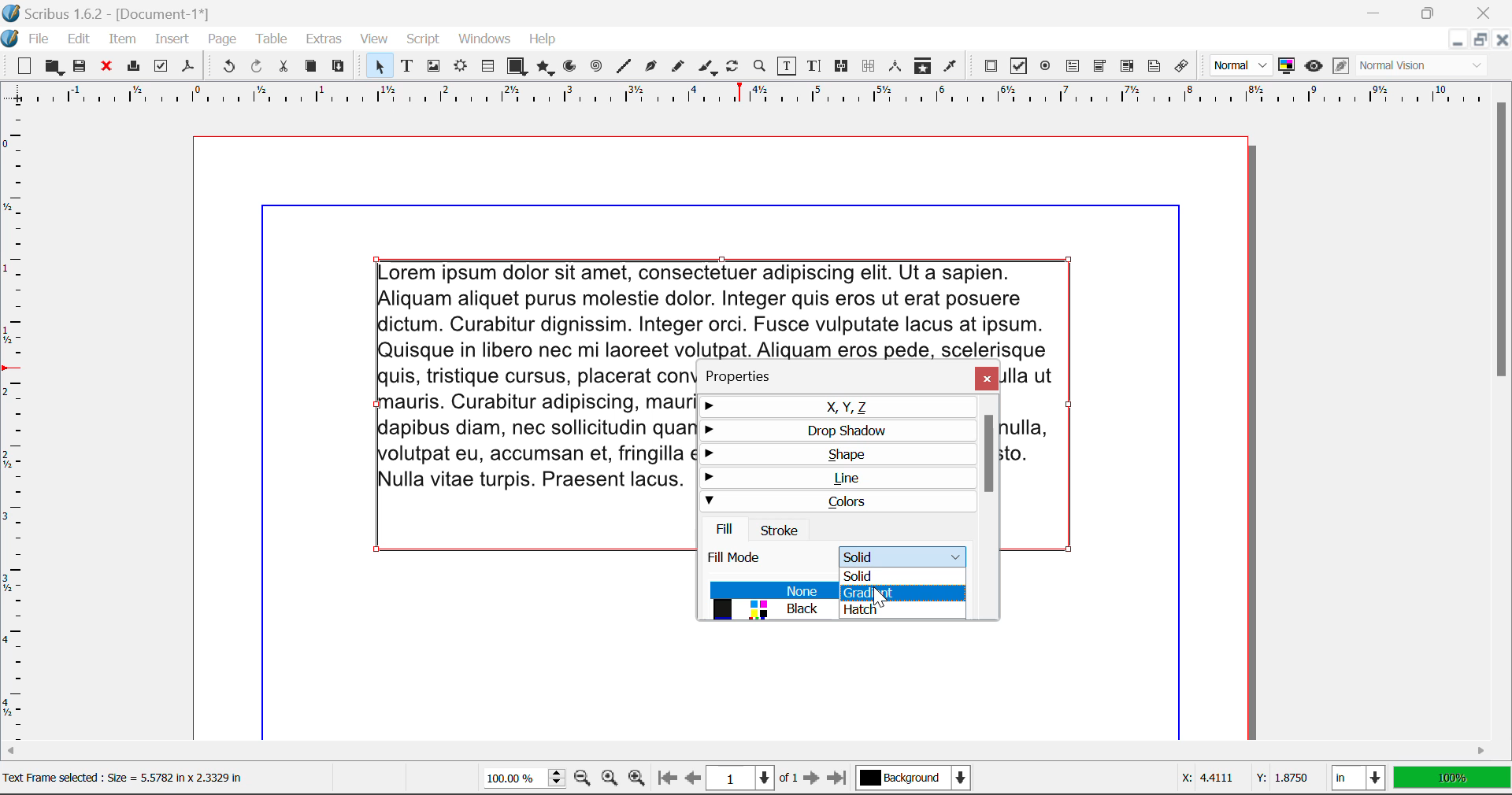 The height and width of the screenshot is (795, 1512). What do you see at coordinates (517, 68) in the screenshot?
I see `Shapes` at bounding box center [517, 68].